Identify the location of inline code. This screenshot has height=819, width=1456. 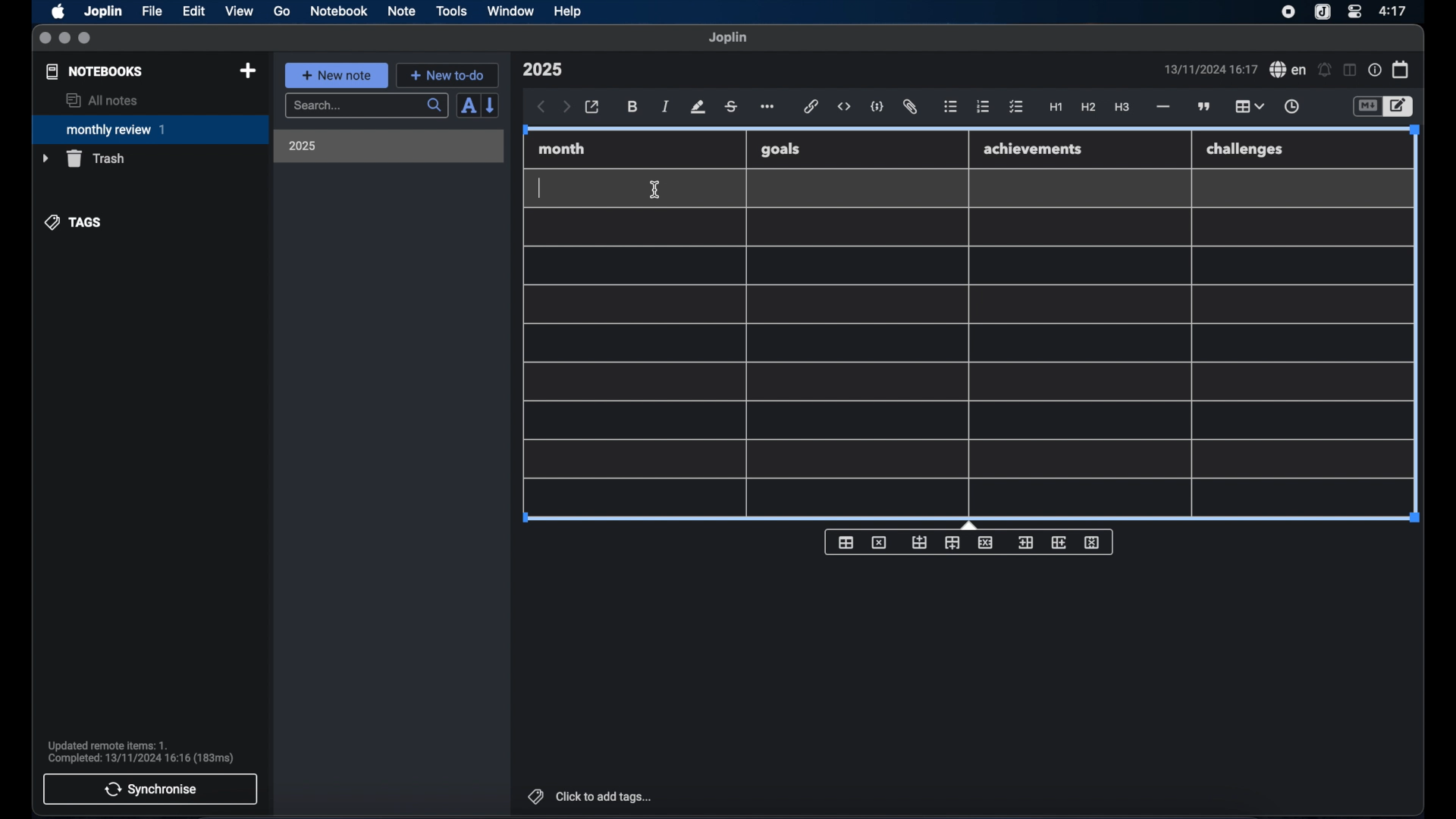
(844, 107).